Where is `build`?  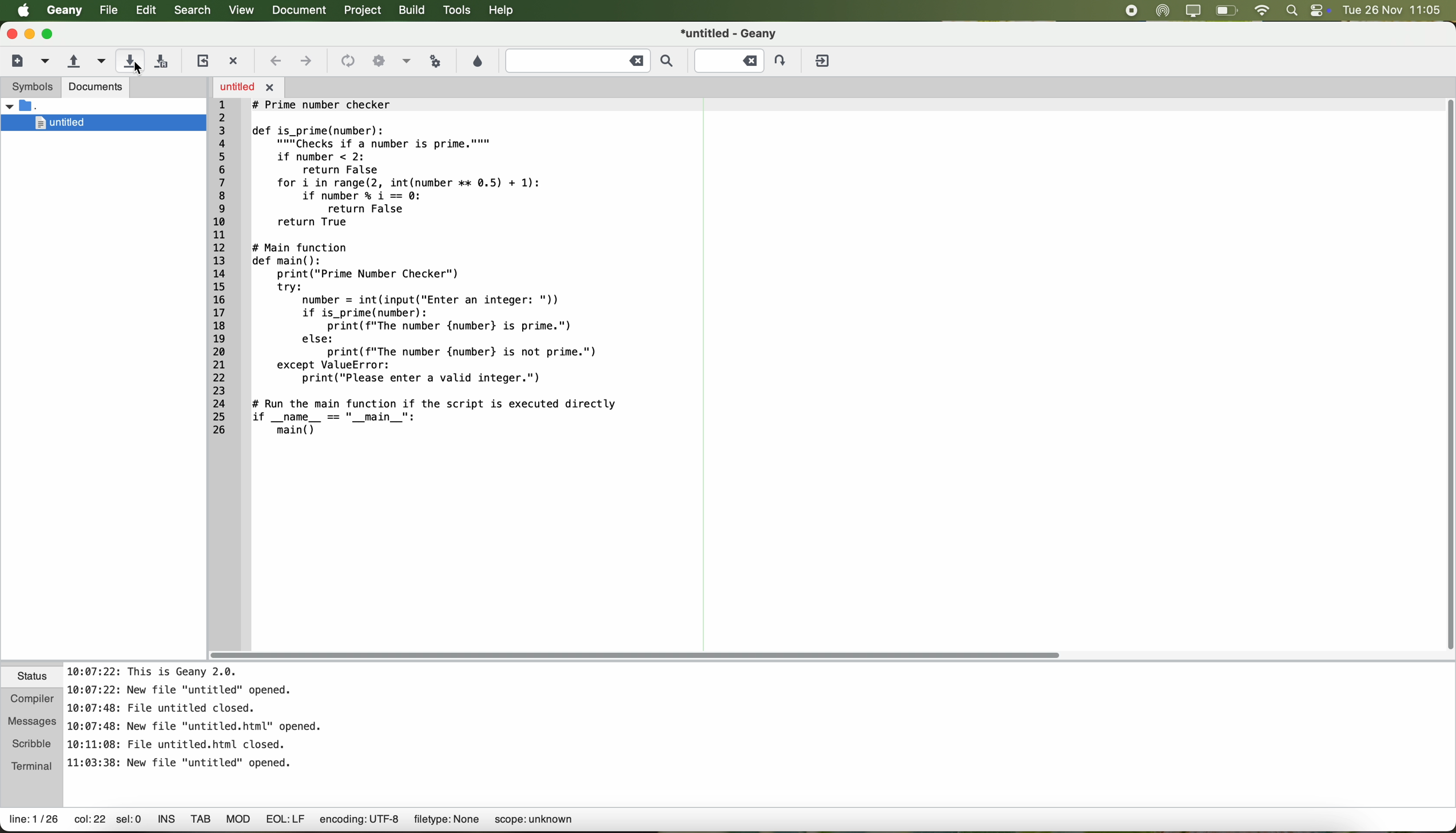 build is located at coordinates (413, 11).